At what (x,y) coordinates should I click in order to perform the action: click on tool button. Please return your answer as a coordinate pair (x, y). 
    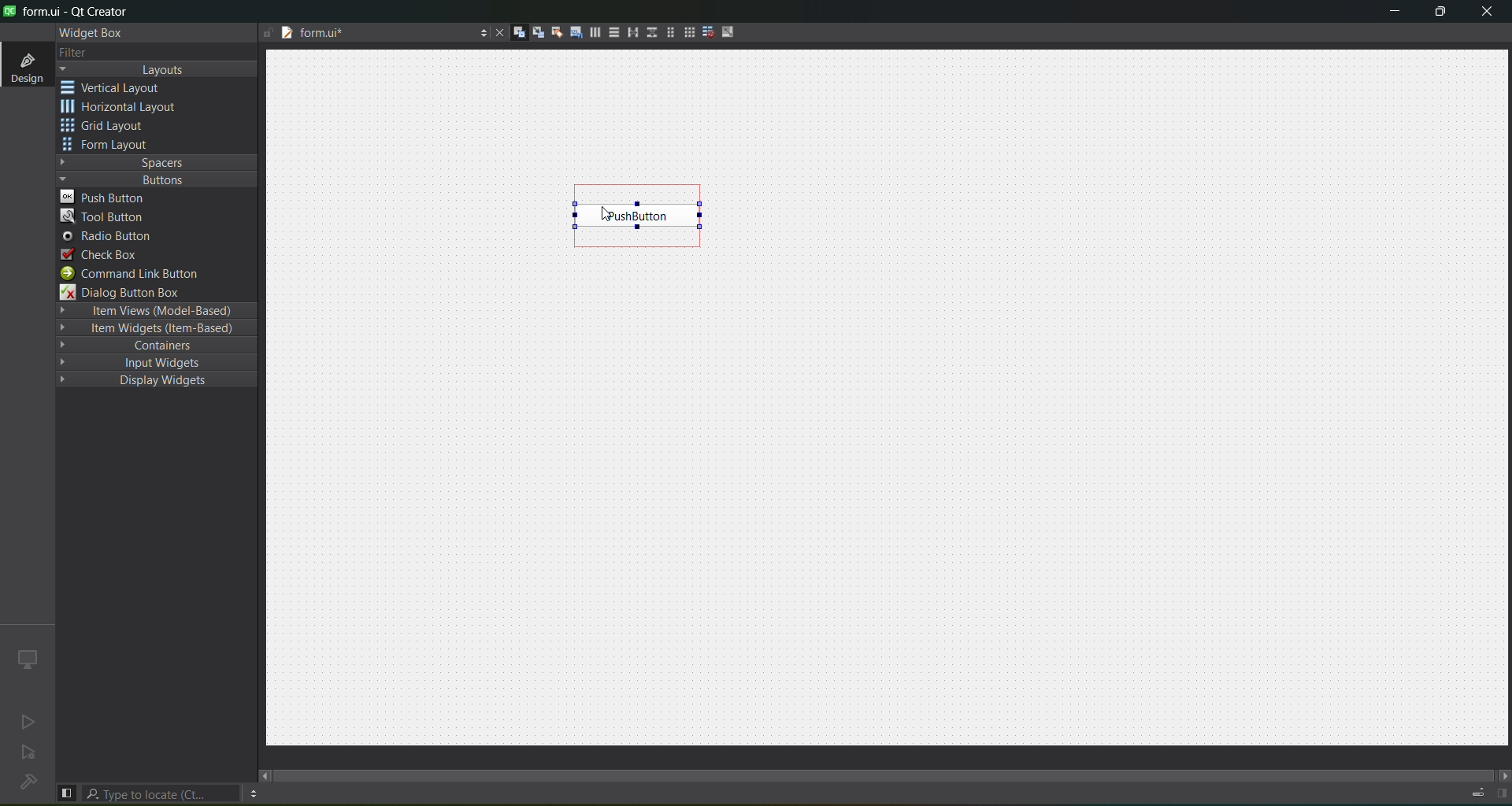
    Looking at the image, I should click on (104, 218).